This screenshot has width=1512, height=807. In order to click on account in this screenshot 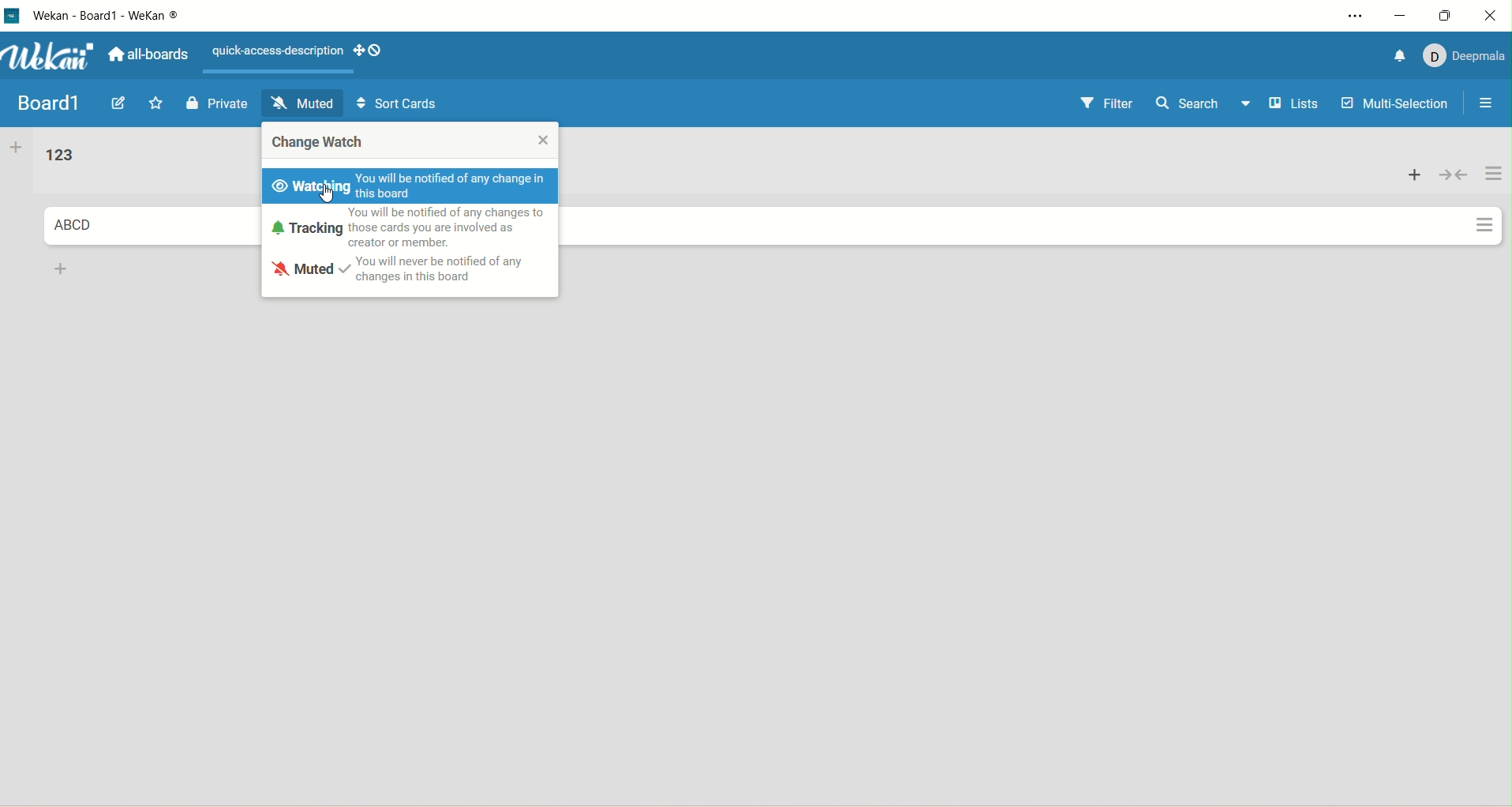, I will do `click(1461, 58)`.